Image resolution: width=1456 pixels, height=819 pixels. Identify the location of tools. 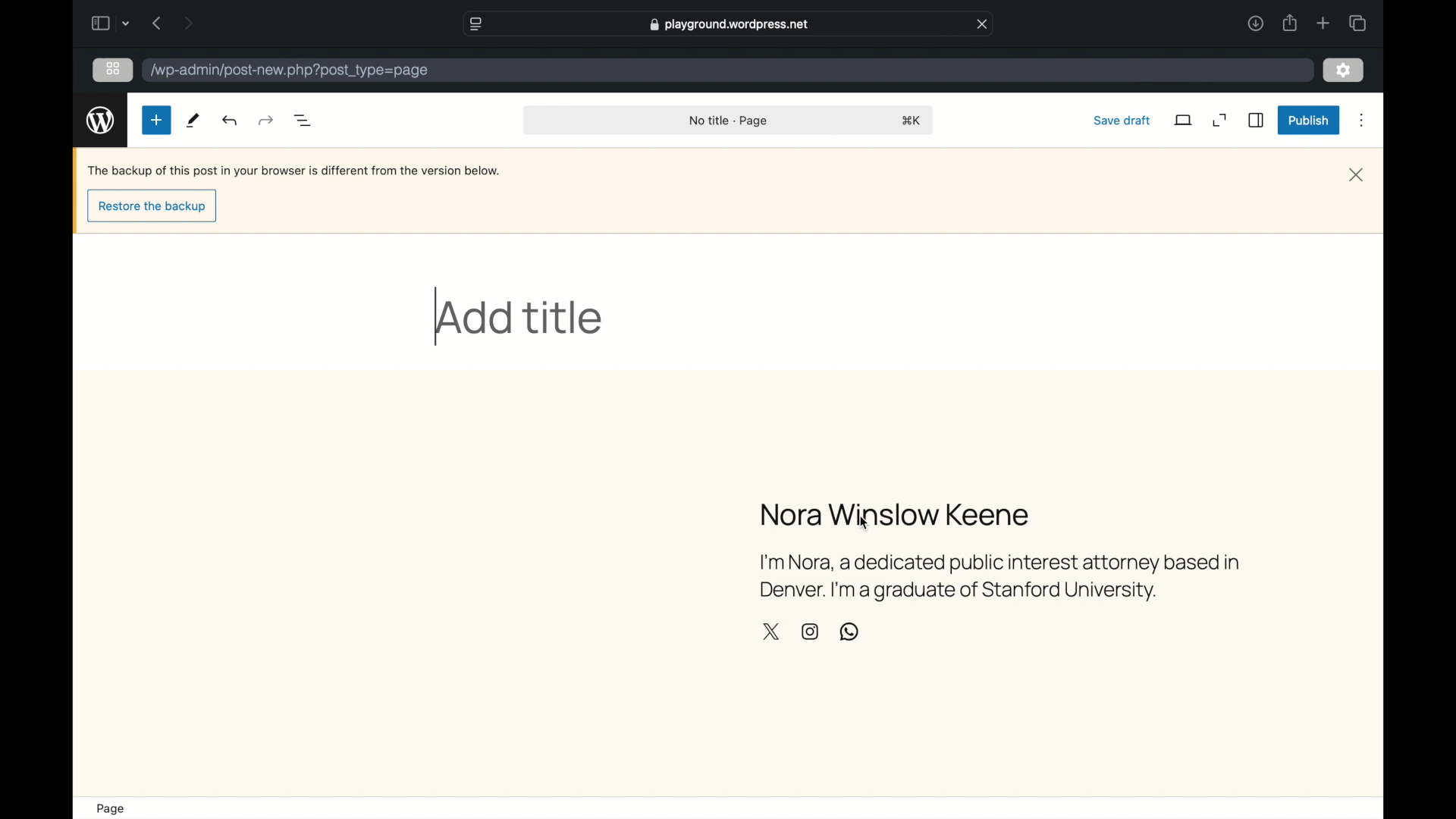
(194, 120).